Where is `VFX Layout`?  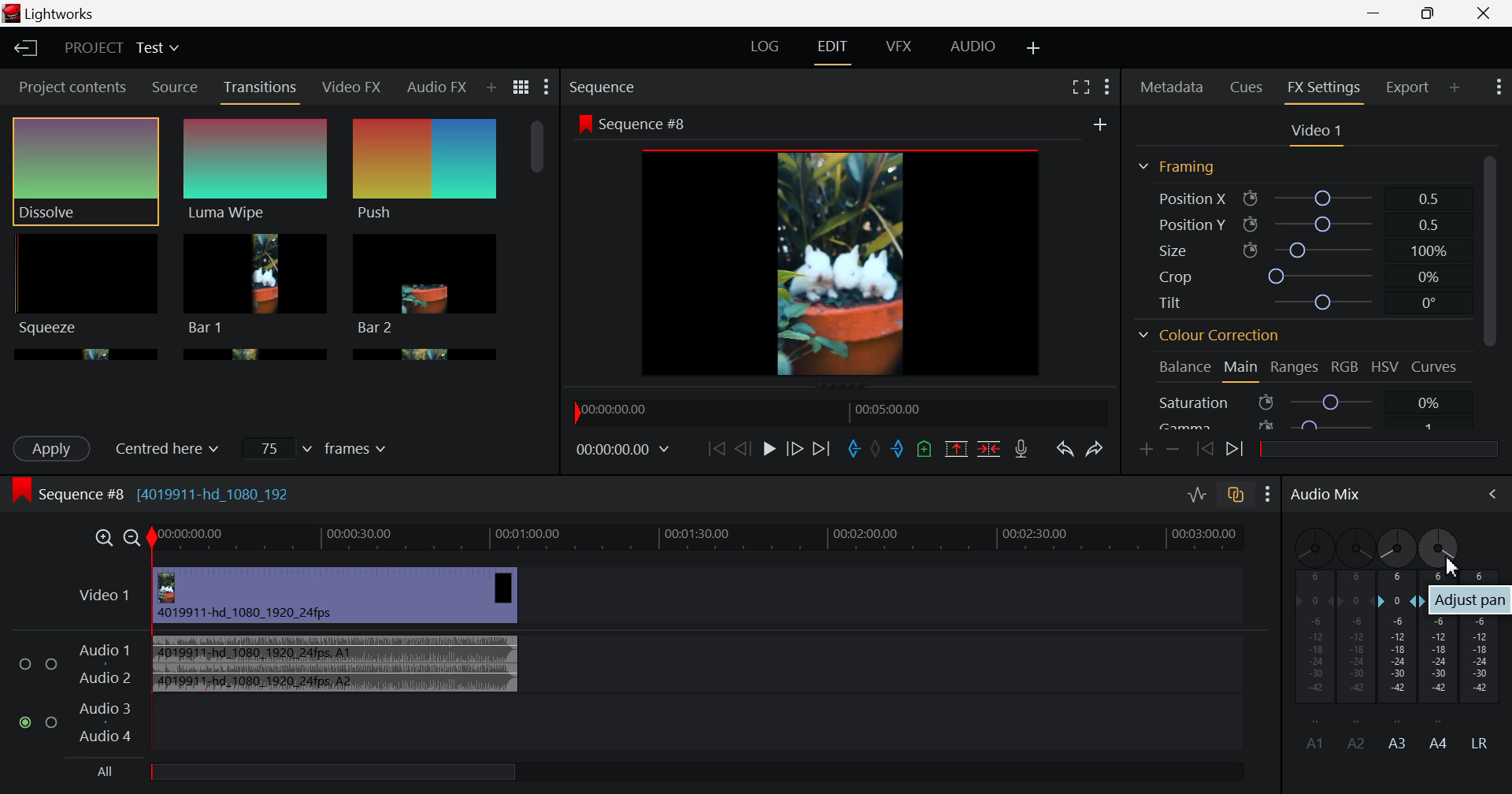
VFX Layout is located at coordinates (899, 50).